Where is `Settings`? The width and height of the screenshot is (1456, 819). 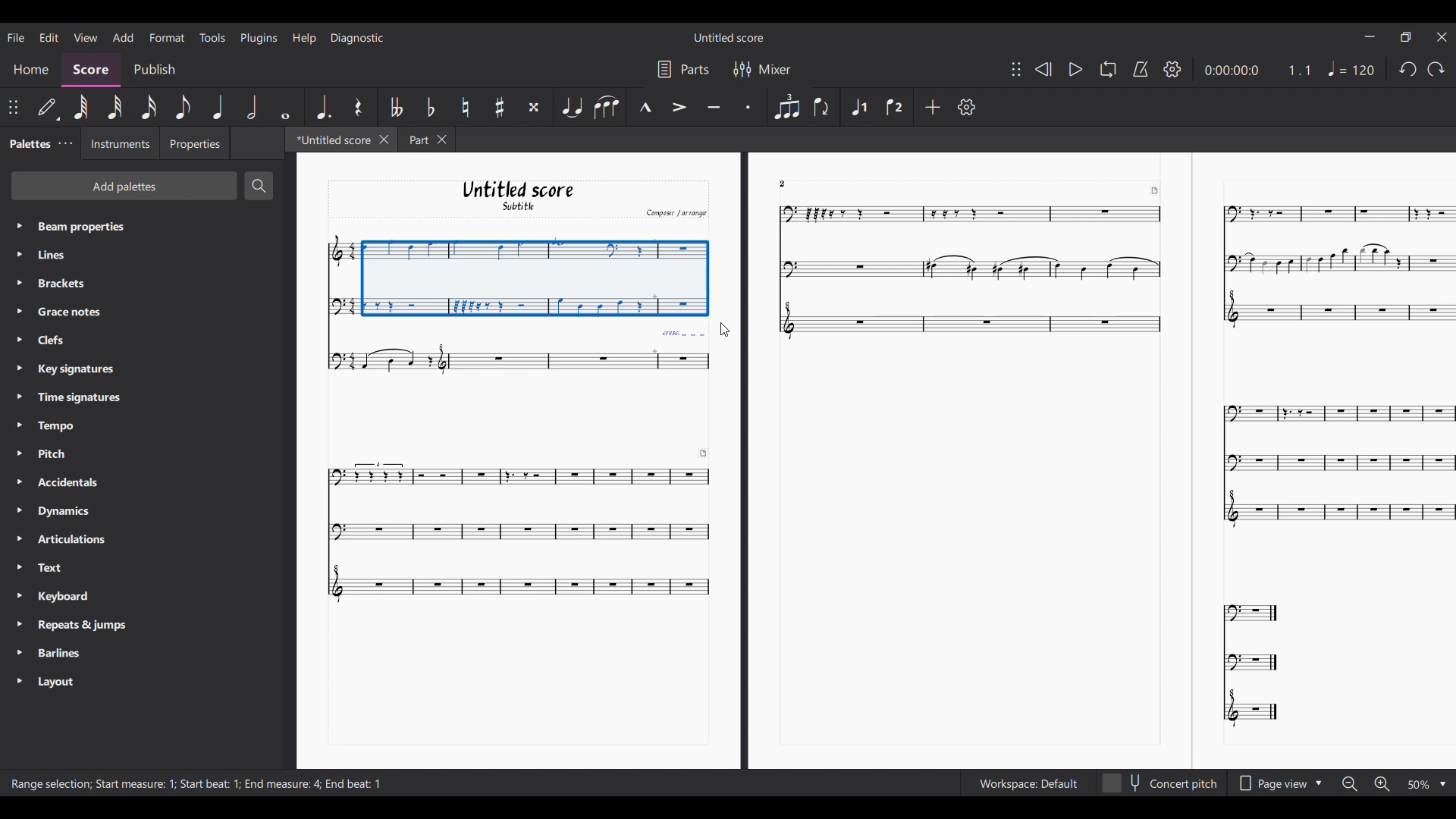
Settings is located at coordinates (966, 107).